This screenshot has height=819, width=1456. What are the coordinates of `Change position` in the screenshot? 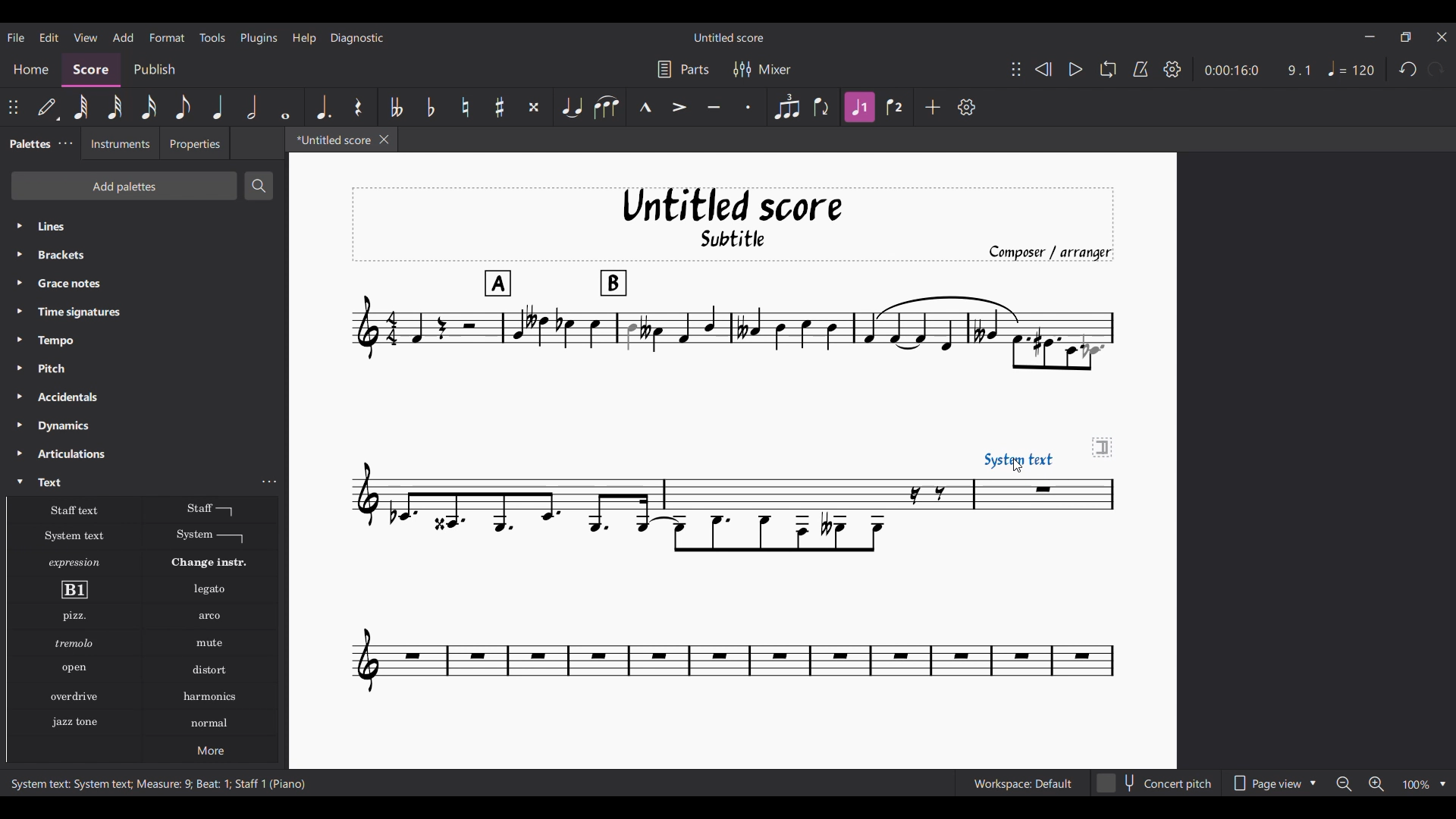 It's located at (1016, 69).